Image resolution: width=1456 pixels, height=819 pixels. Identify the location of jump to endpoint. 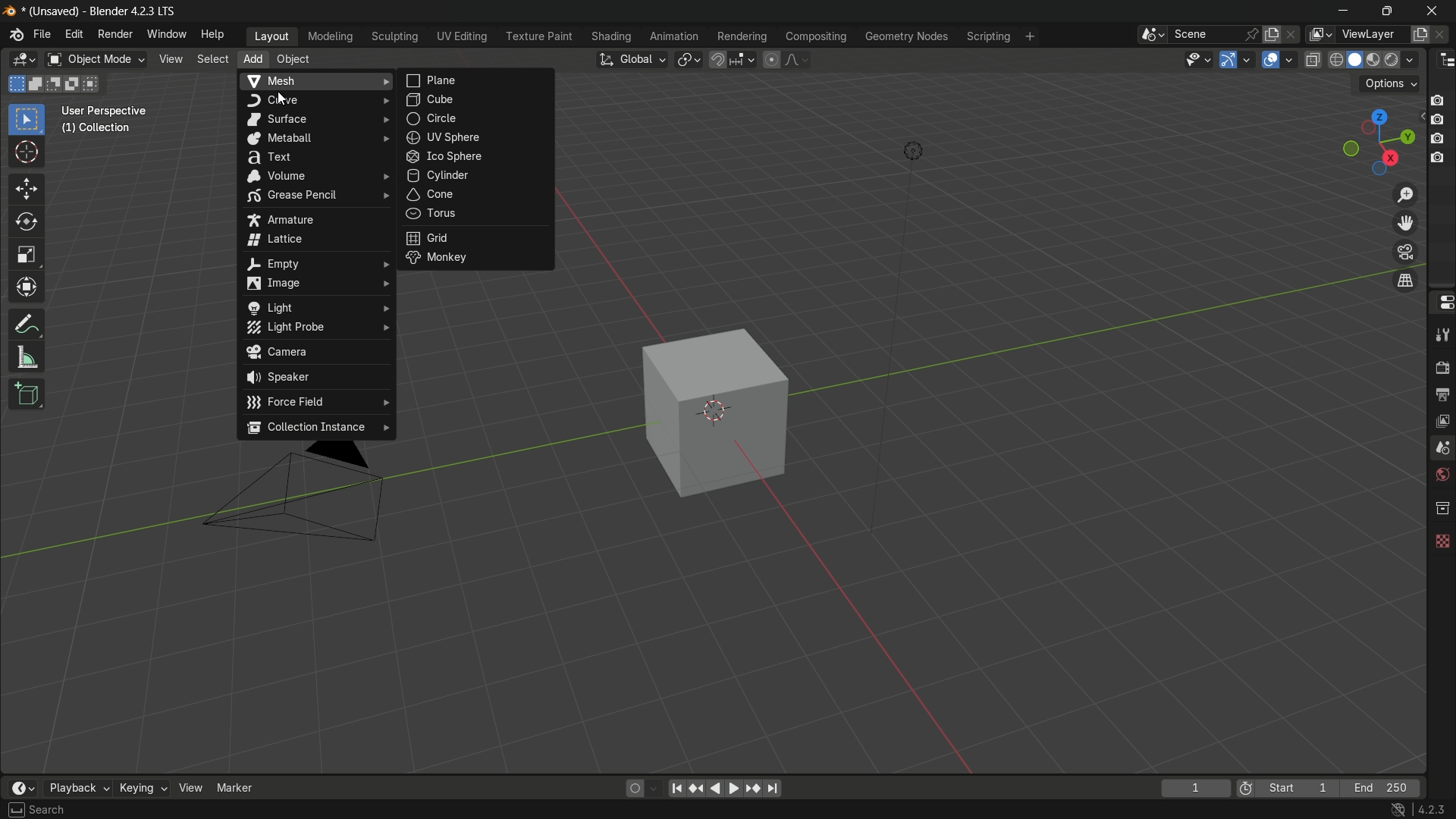
(772, 789).